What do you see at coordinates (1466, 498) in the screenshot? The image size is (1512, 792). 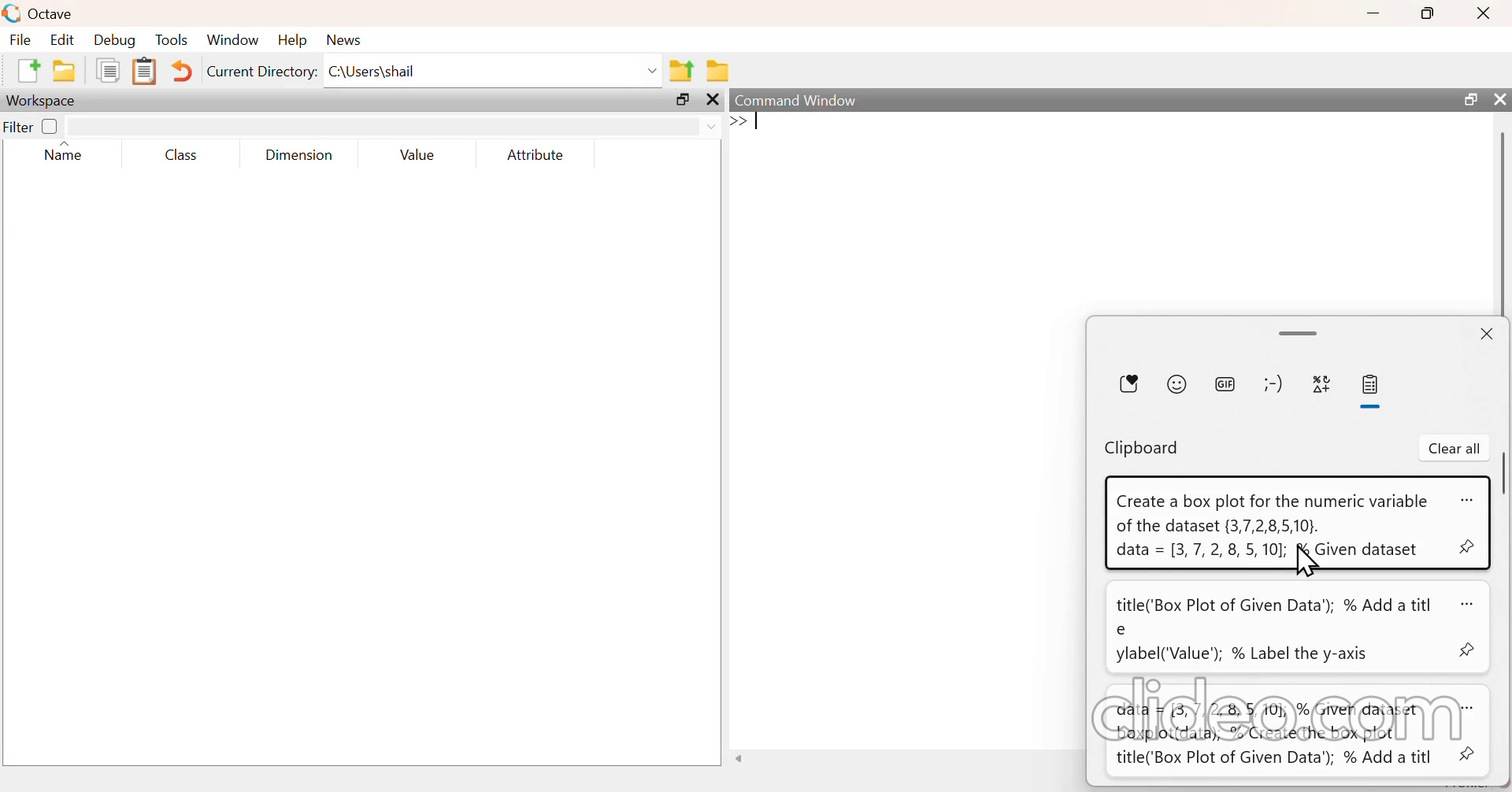 I see `more options` at bounding box center [1466, 498].